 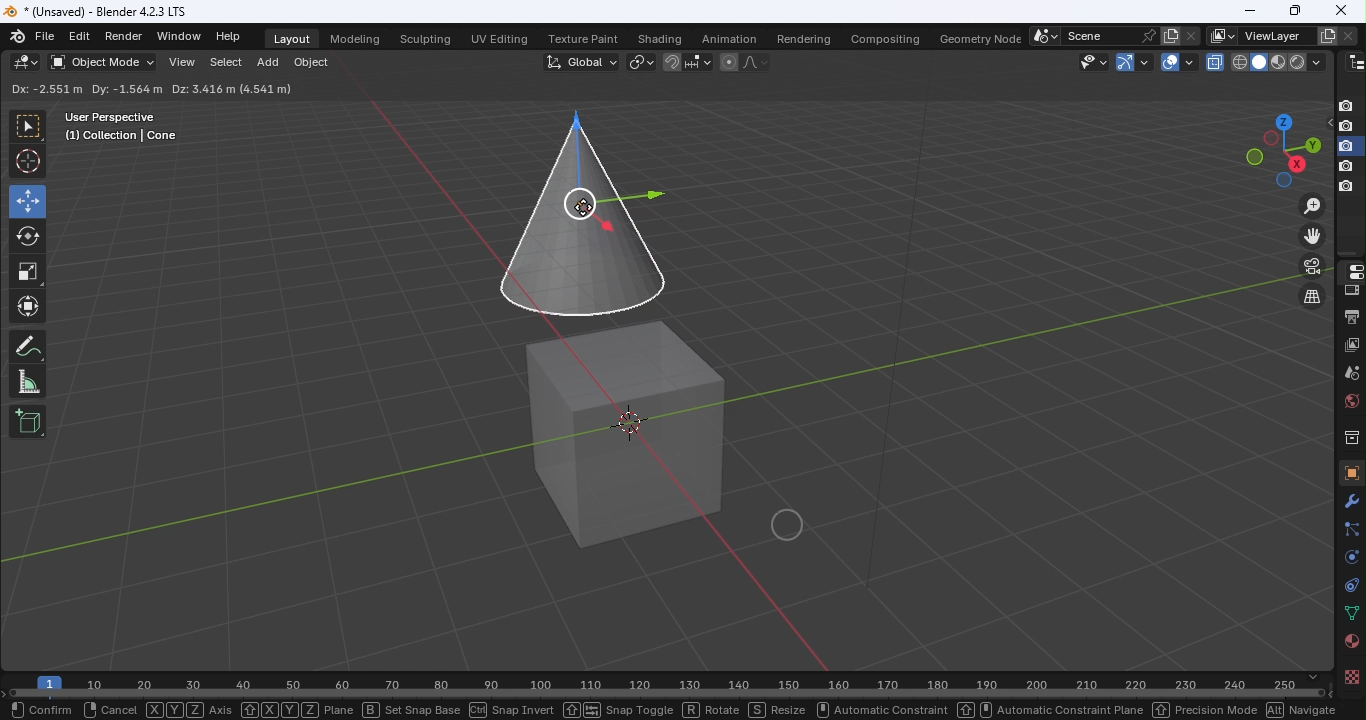 What do you see at coordinates (882, 35) in the screenshot?
I see `Compositing` at bounding box center [882, 35].